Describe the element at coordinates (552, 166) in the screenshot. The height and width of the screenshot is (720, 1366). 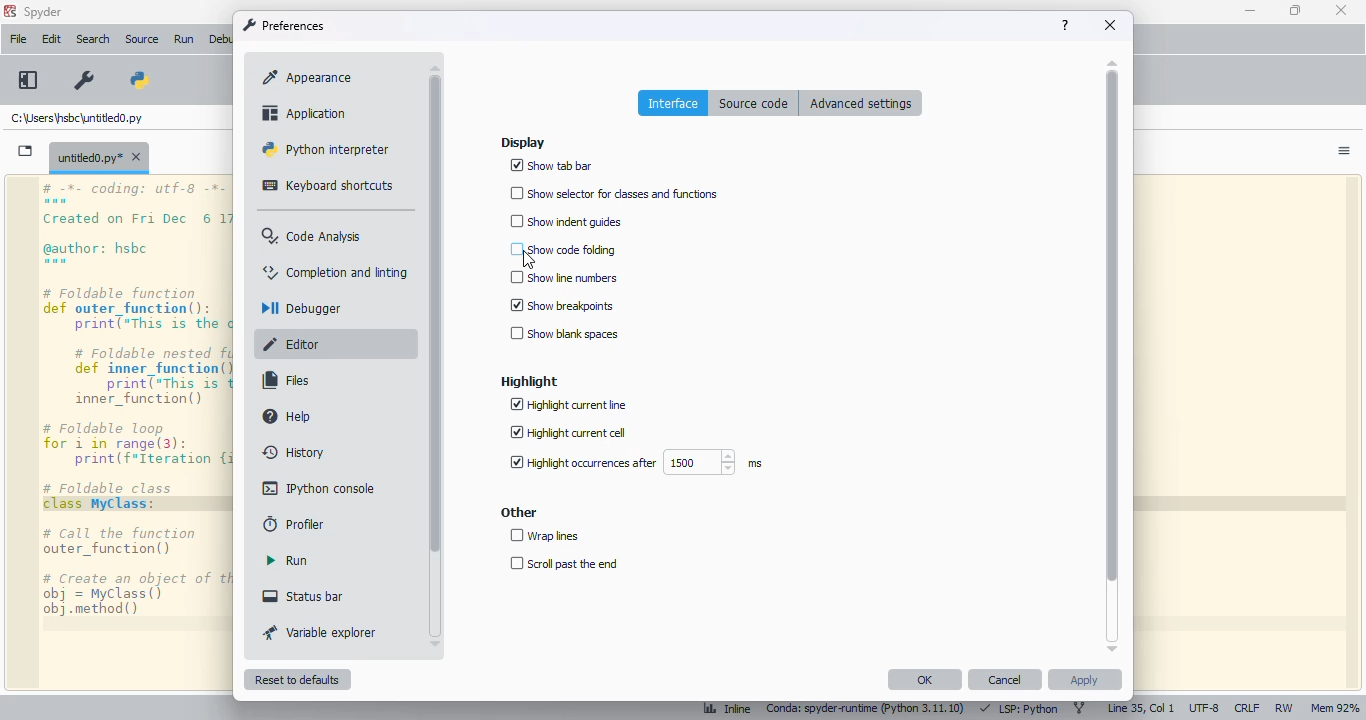
I see `show tab bar` at that location.